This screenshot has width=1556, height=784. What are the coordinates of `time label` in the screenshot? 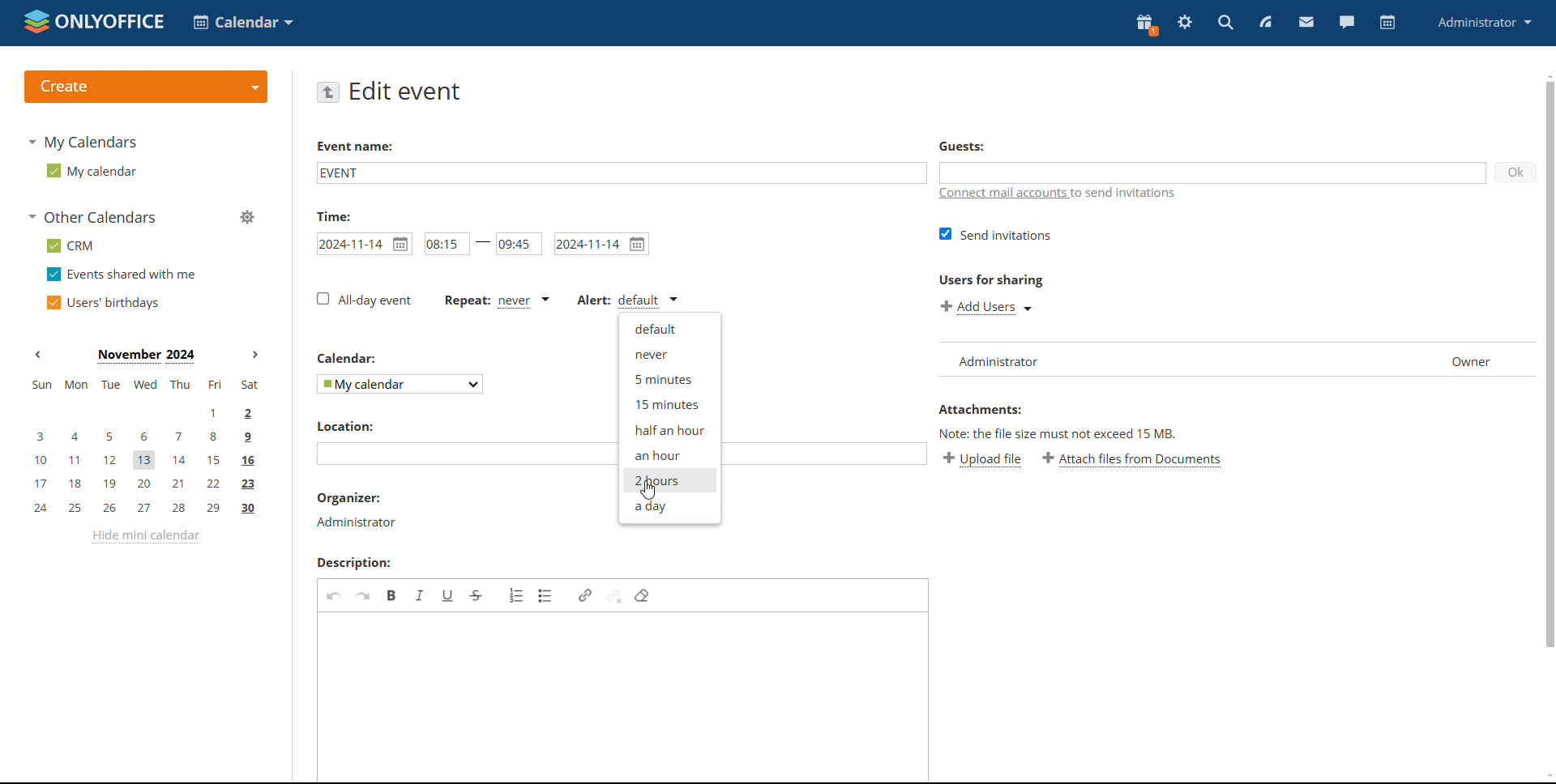 It's located at (340, 217).